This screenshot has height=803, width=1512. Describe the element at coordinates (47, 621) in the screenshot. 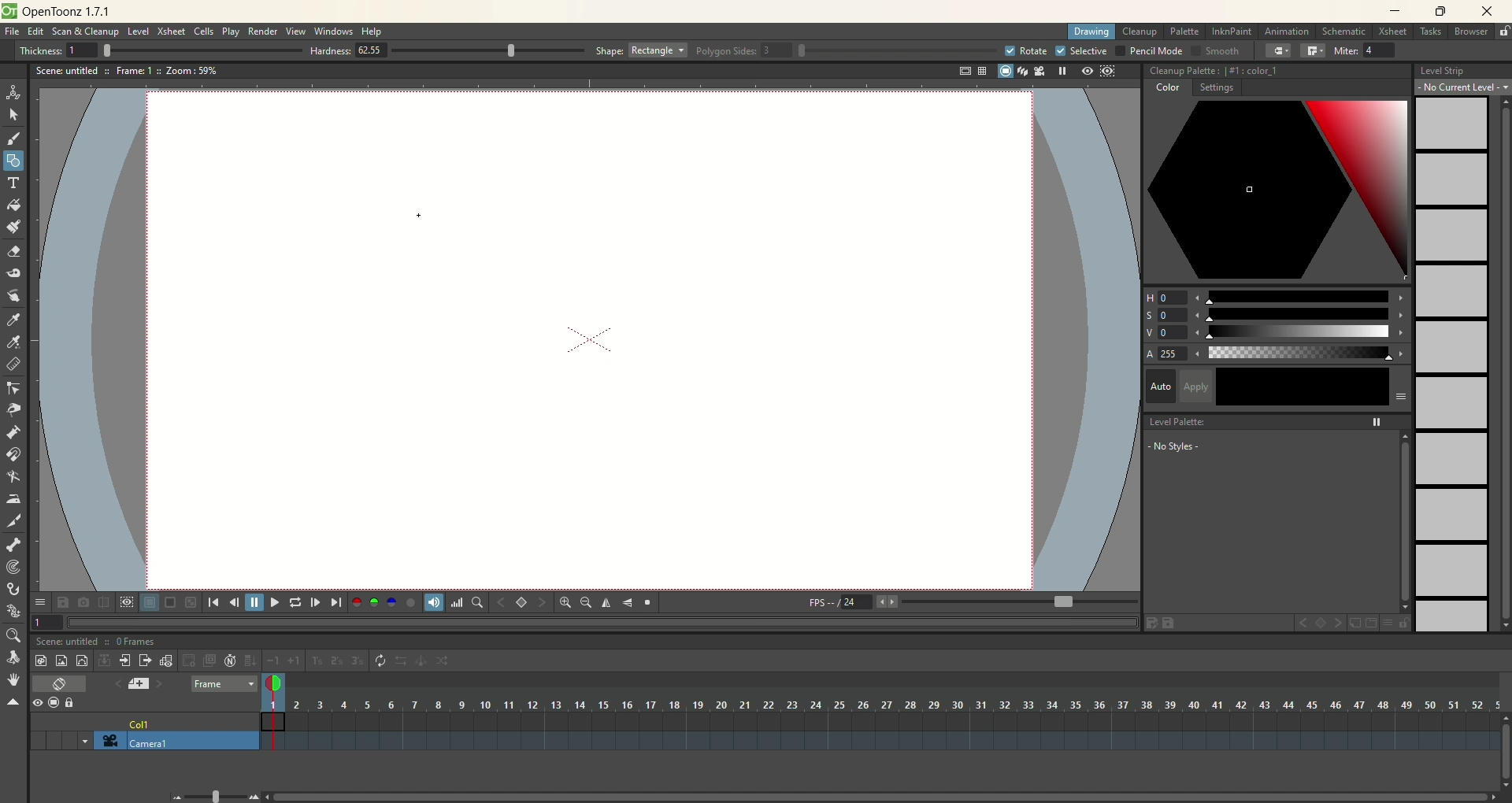

I see `1` at that location.